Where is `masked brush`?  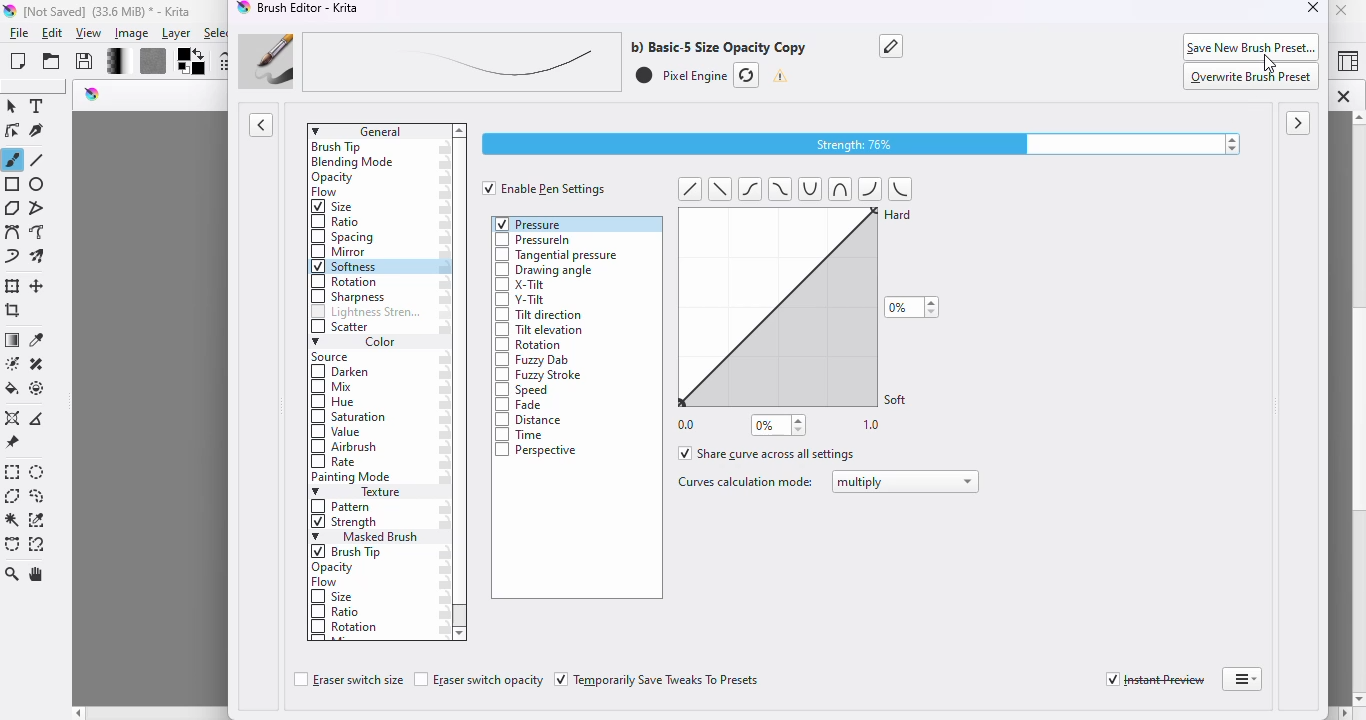
masked brush is located at coordinates (365, 537).